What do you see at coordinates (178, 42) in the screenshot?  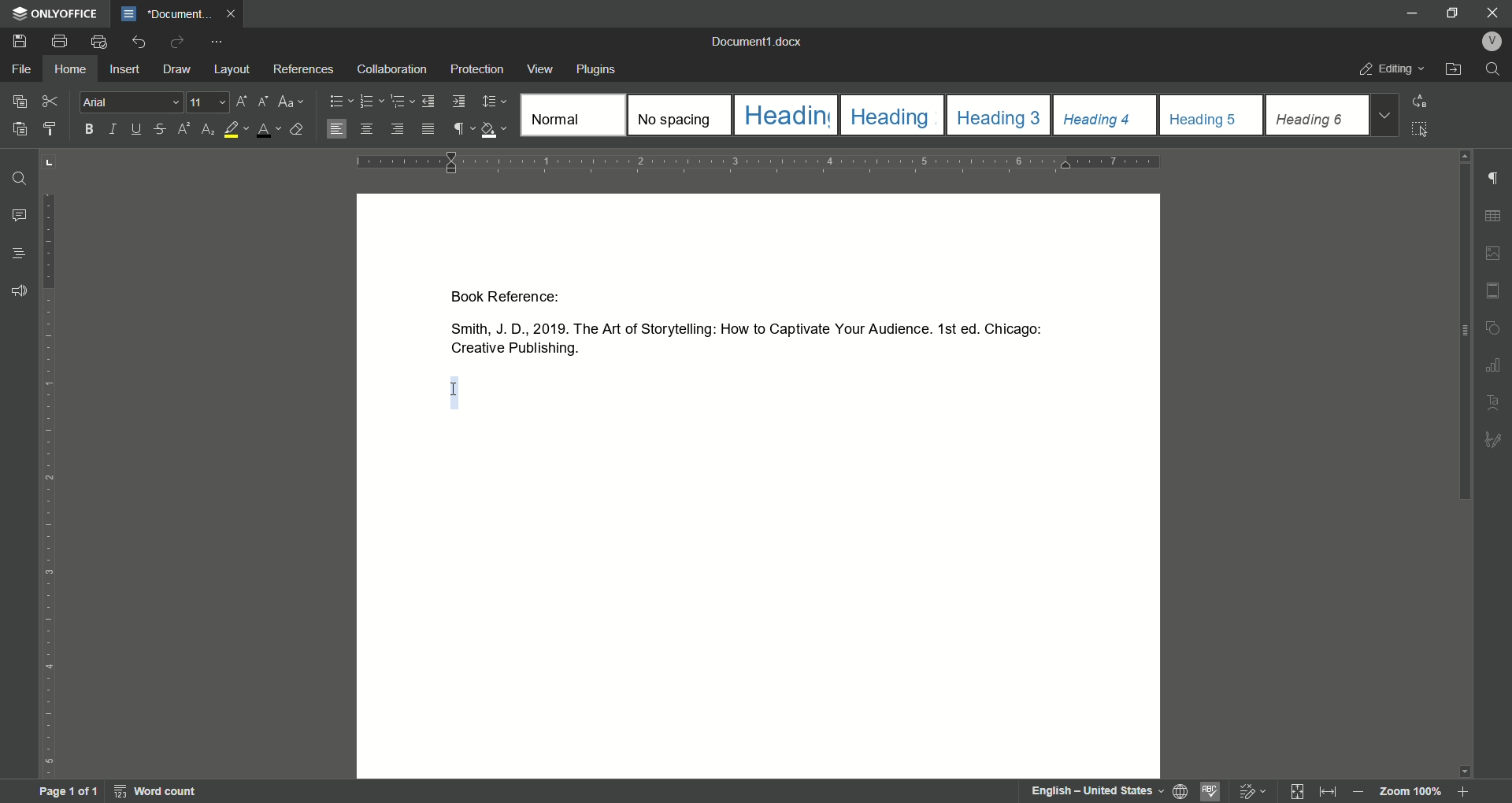 I see `redo` at bounding box center [178, 42].